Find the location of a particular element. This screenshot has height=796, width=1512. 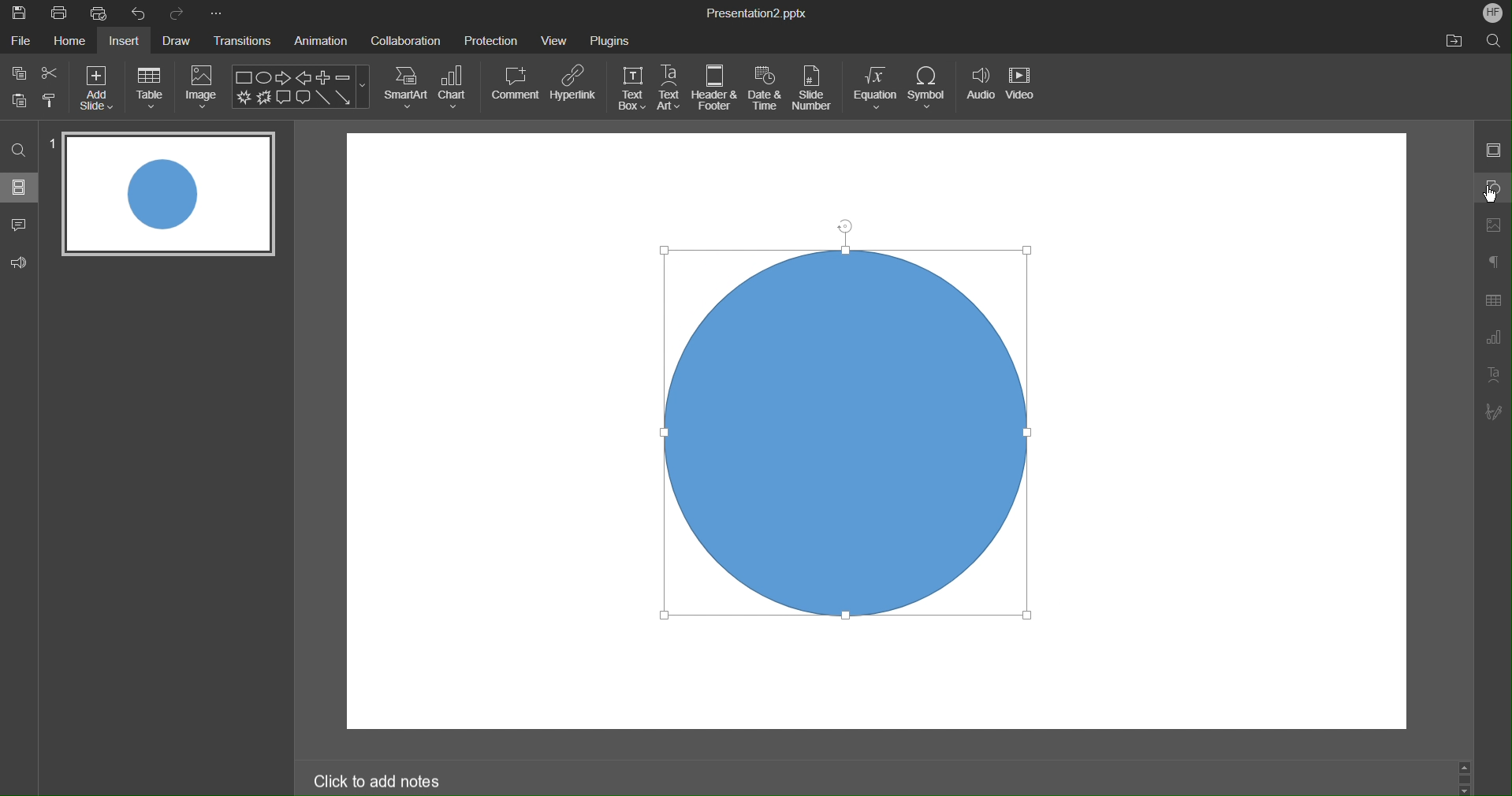

Paragraphs is located at coordinates (1494, 261).